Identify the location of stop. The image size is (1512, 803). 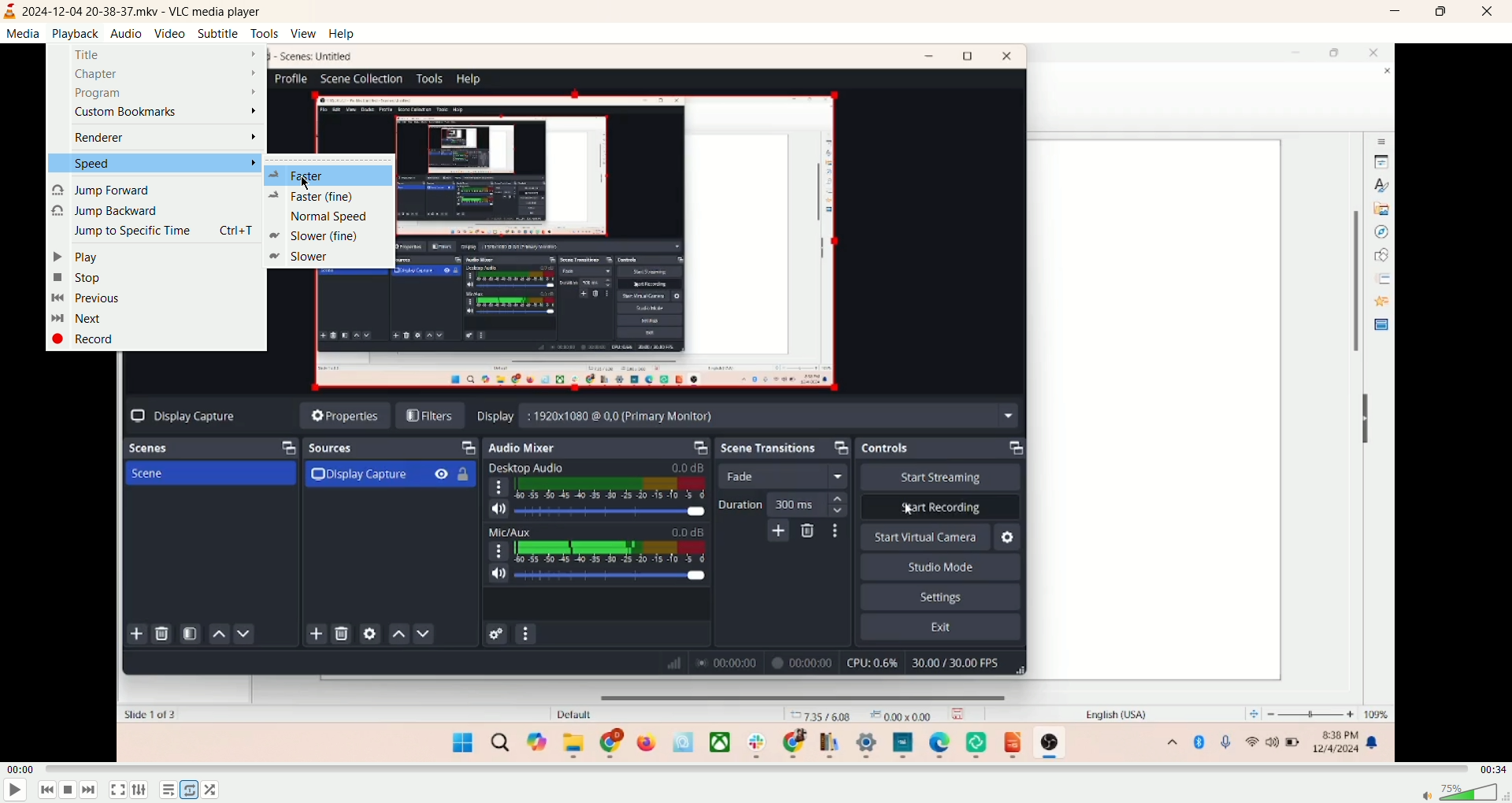
(70, 790).